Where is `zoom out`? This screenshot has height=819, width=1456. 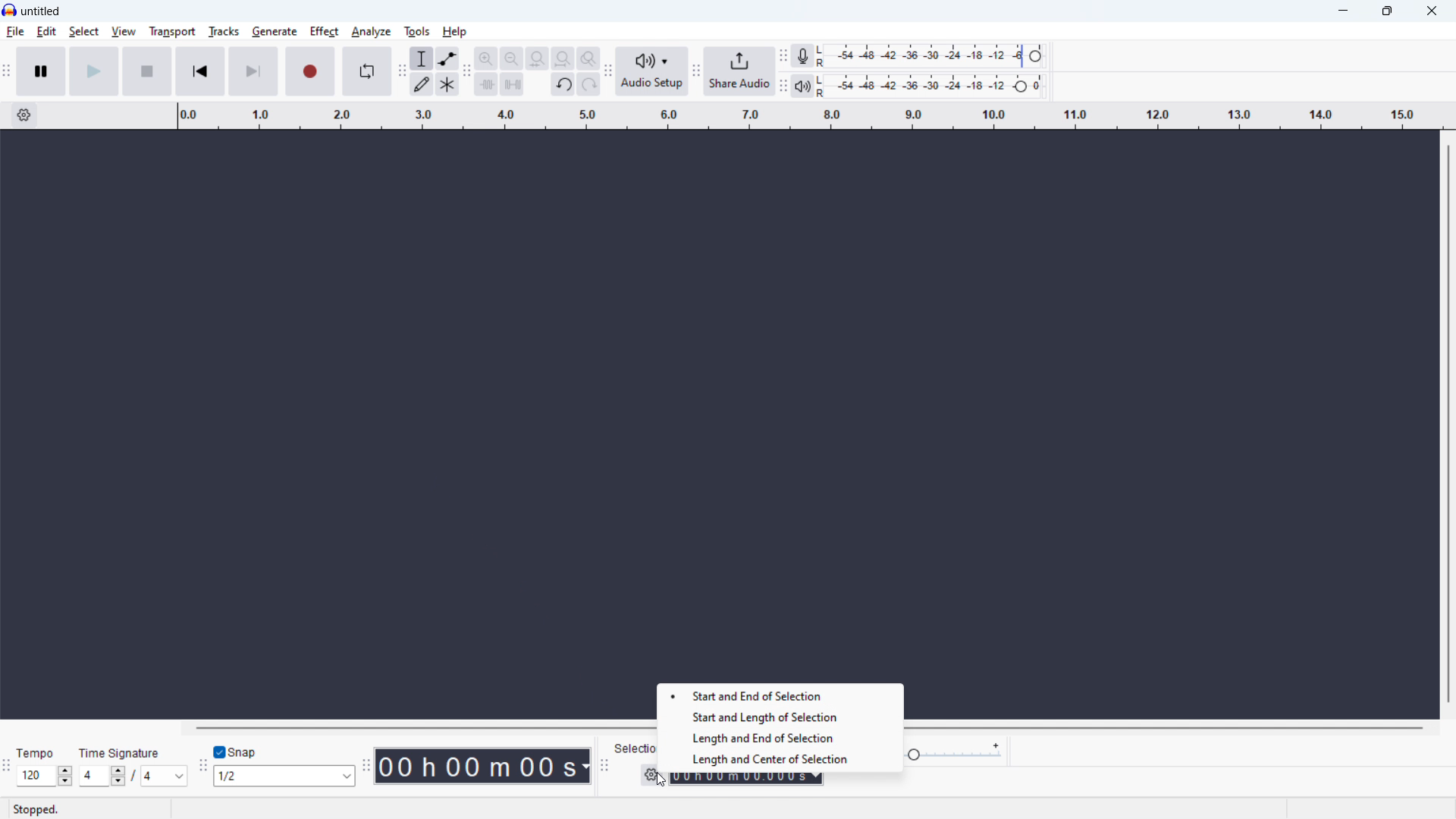 zoom out is located at coordinates (513, 58).